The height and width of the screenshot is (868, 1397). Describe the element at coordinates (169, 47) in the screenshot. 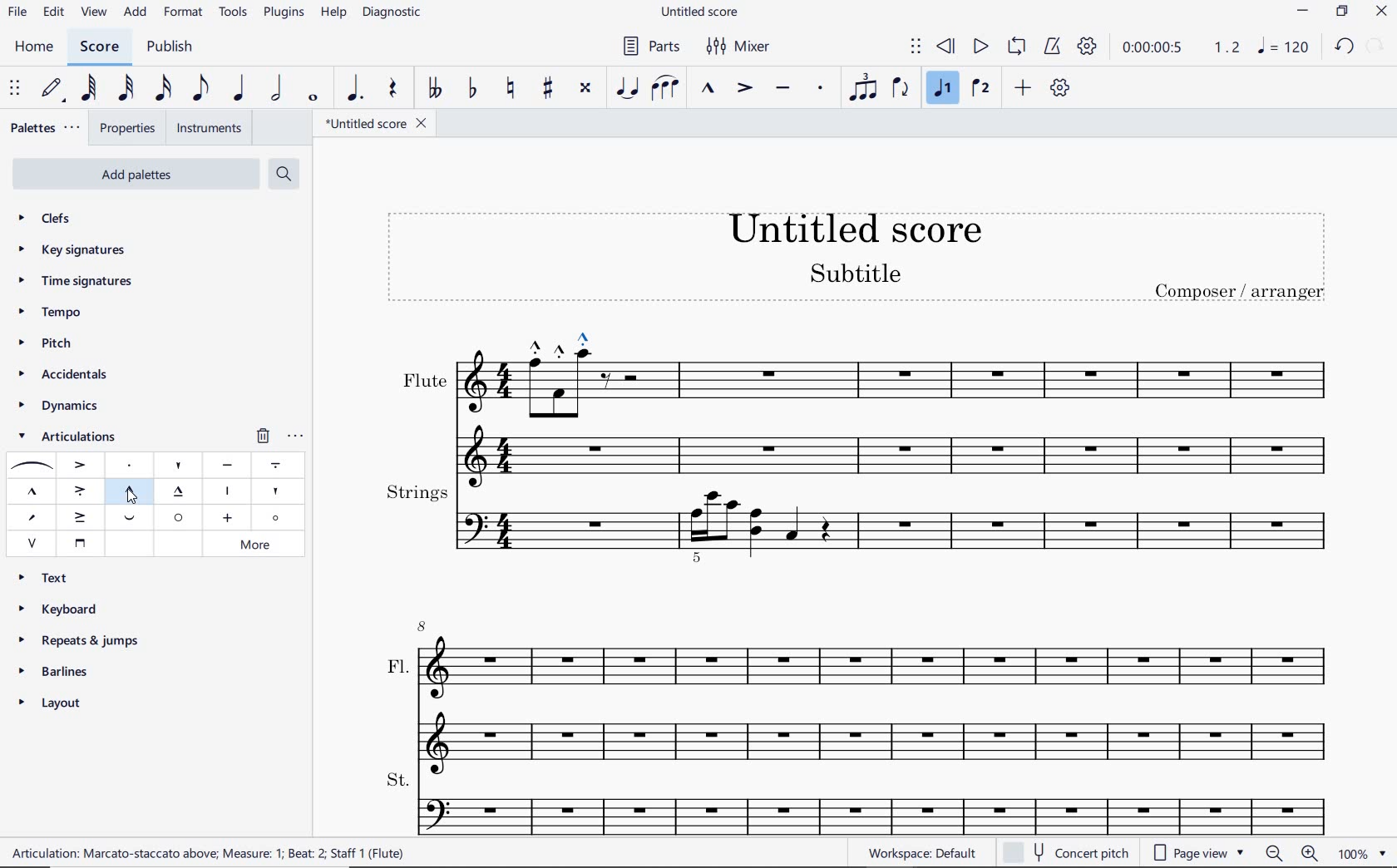

I see `publish` at that location.